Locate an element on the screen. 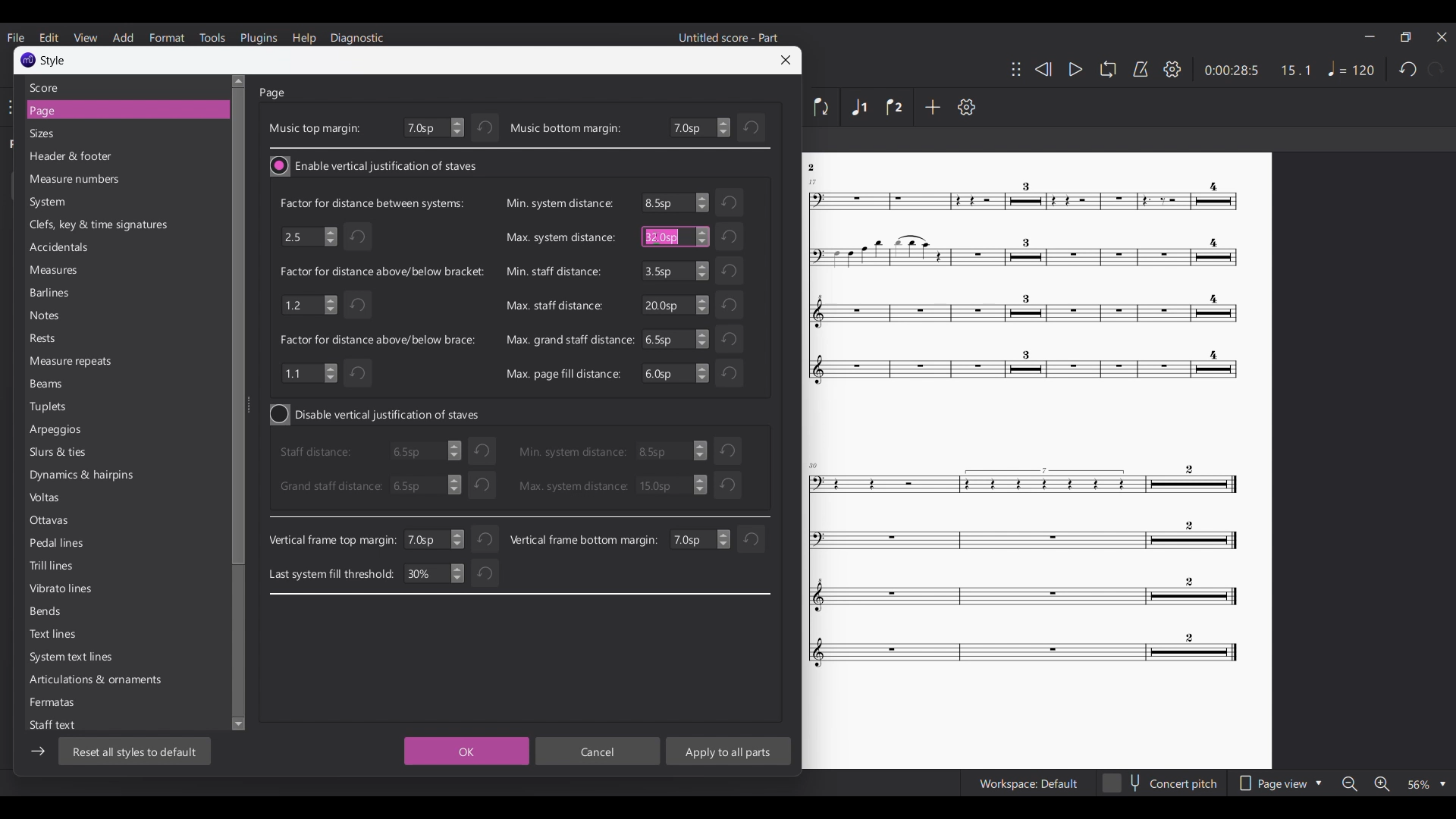 The image size is (1456, 819). Min. staff distance is located at coordinates (553, 271).